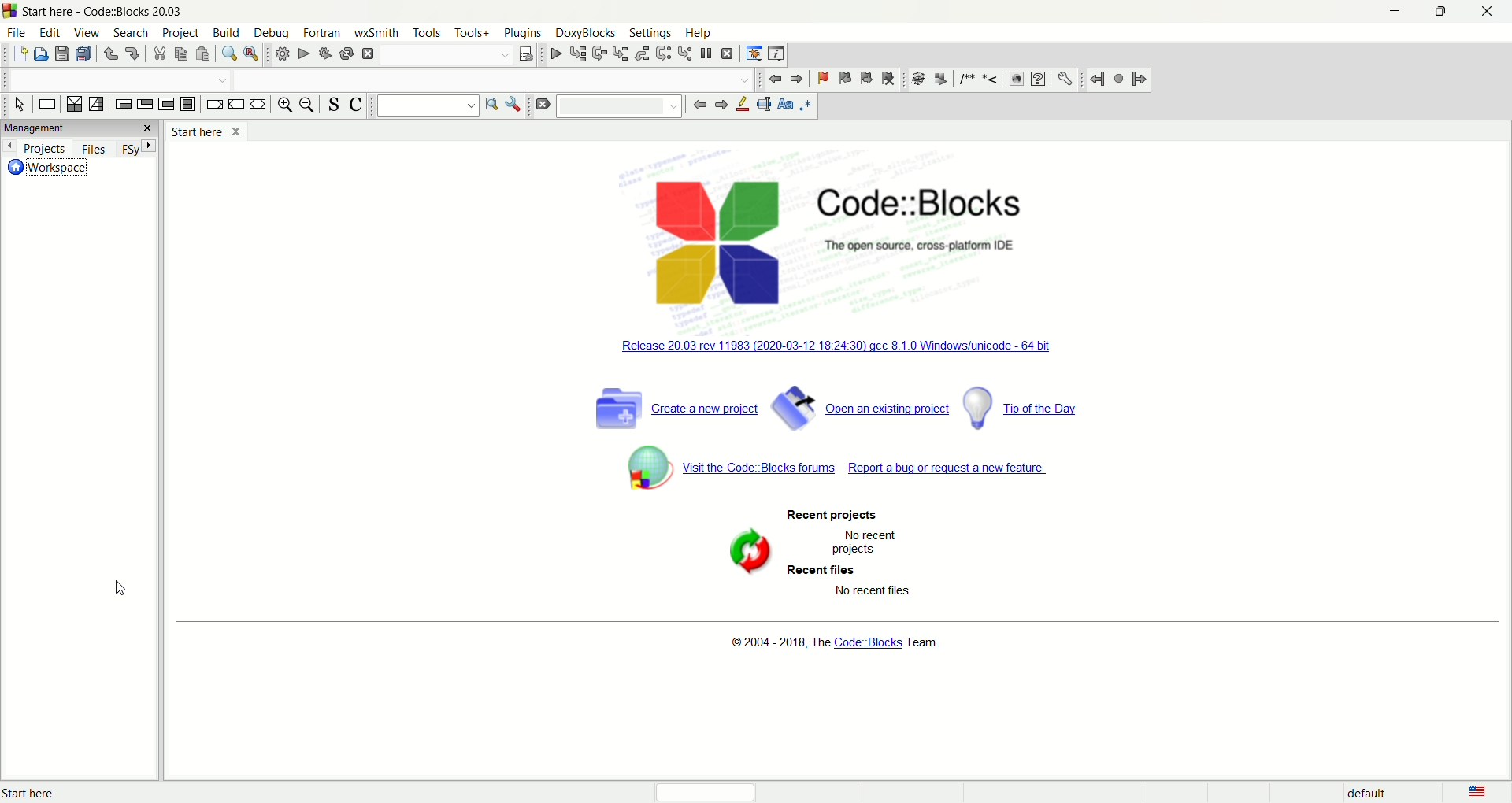 The image size is (1512, 803). I want to click on maximize, so click(1440, 11).